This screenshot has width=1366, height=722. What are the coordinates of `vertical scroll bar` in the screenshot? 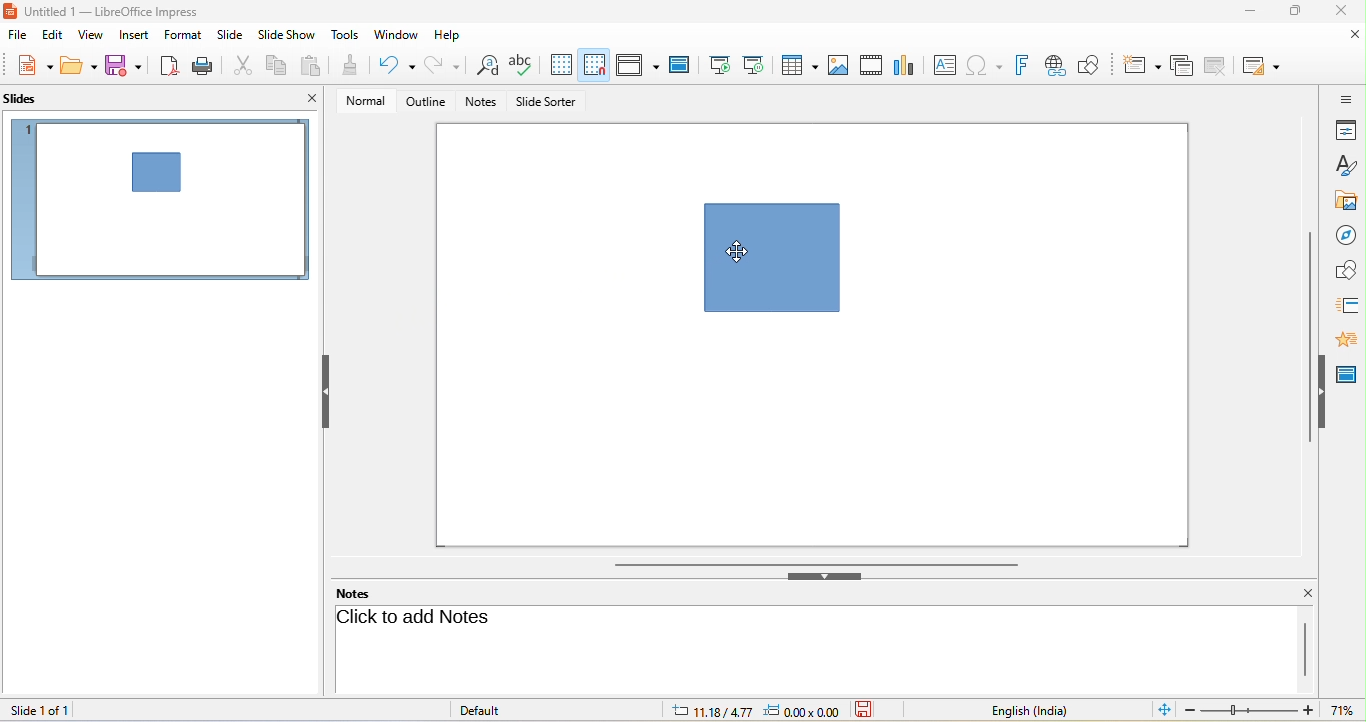 It's located at (1303, 648).